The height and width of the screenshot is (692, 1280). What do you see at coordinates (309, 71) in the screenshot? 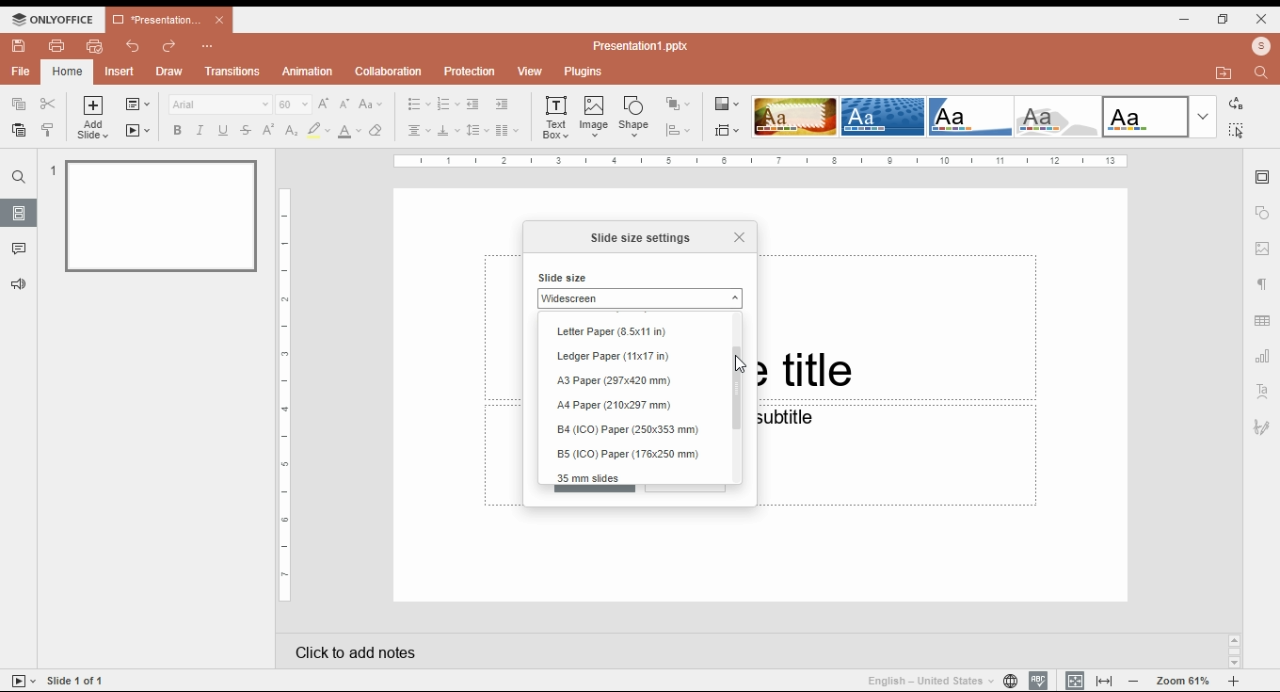
I see `animation` at bounding box center [309, 71].